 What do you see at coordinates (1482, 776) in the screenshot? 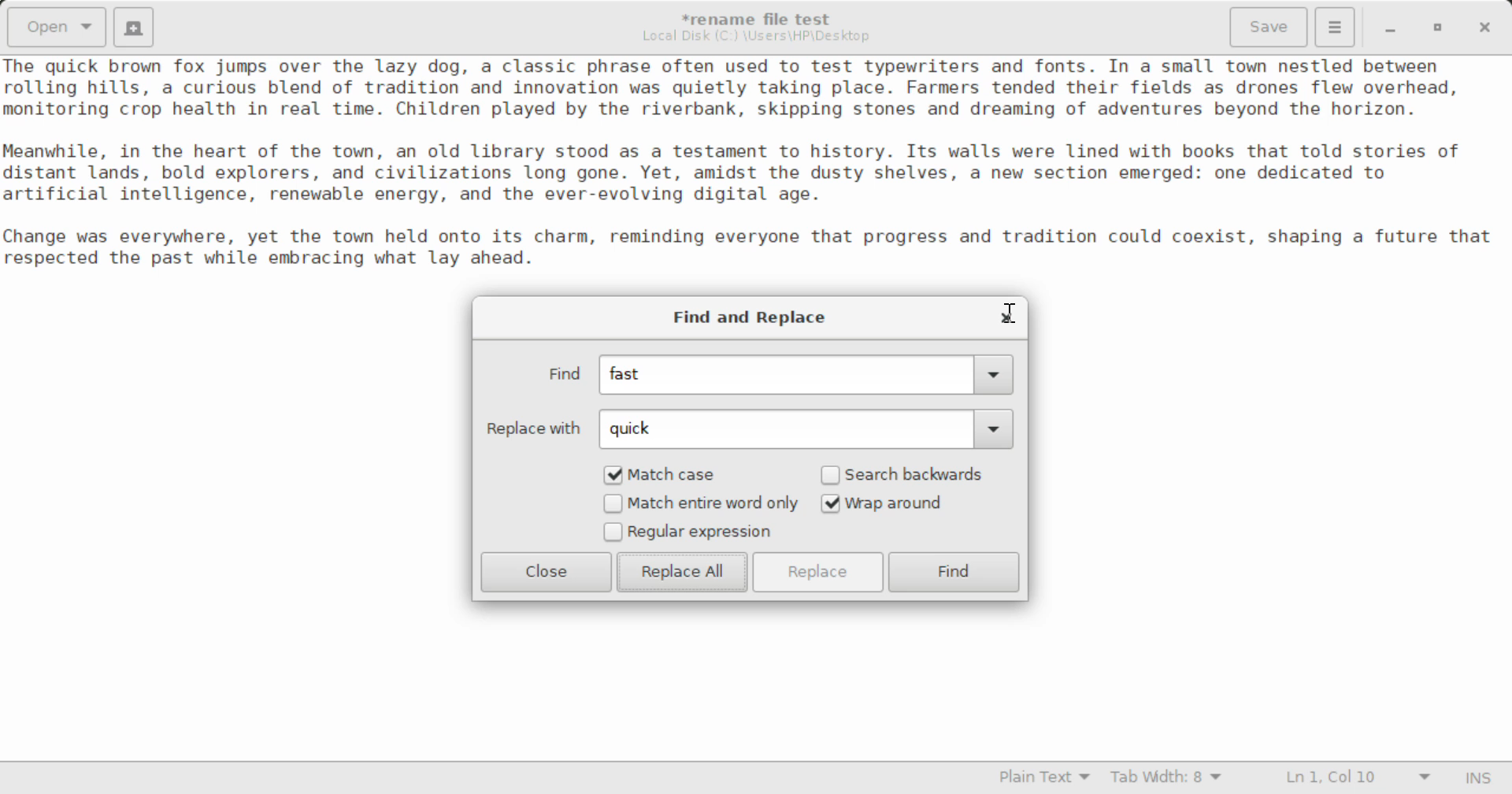
I see `Input Mode` at bounding box center [1482, 776].